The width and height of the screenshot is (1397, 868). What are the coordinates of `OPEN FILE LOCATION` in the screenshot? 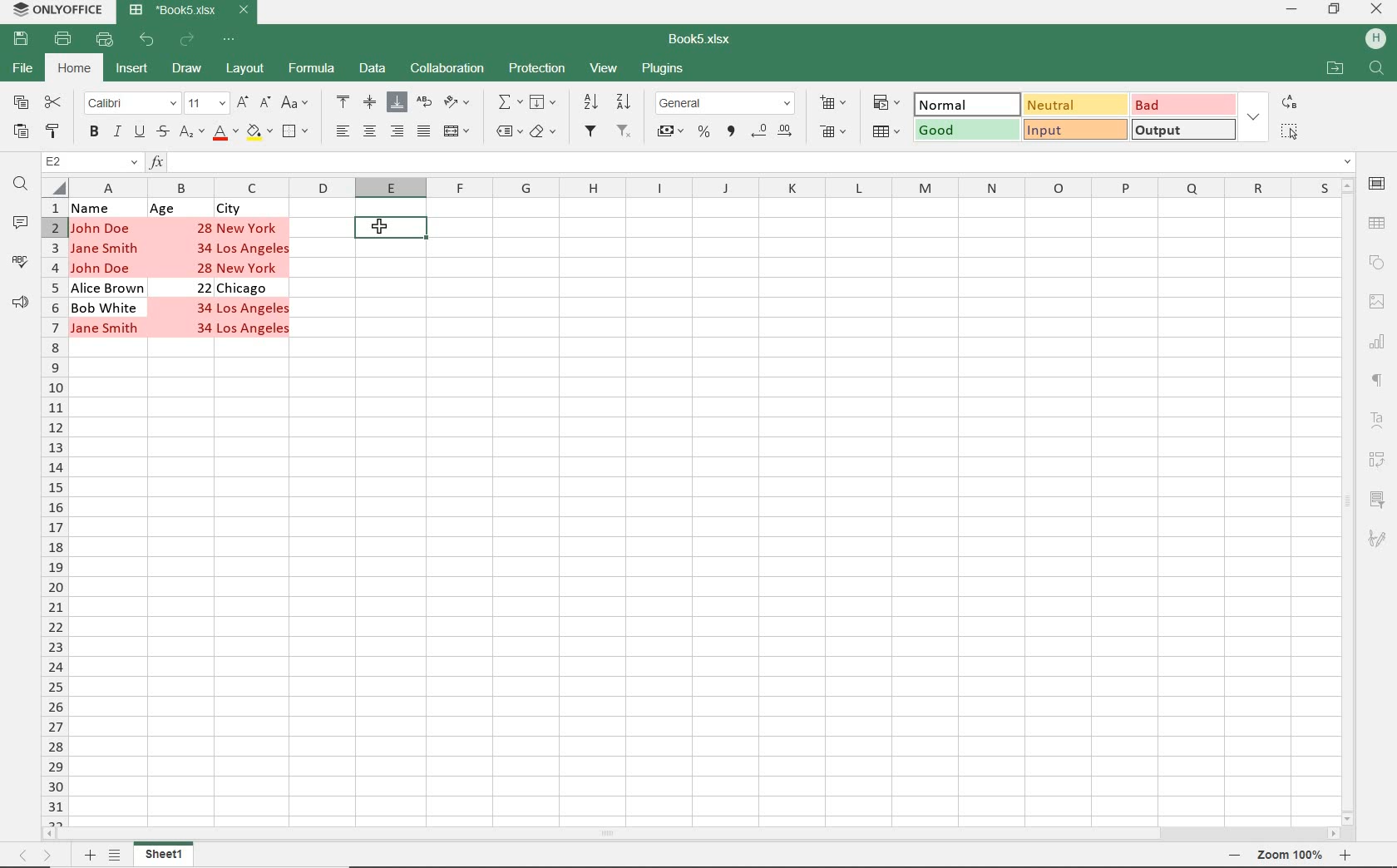 It's located at (1333, 70).